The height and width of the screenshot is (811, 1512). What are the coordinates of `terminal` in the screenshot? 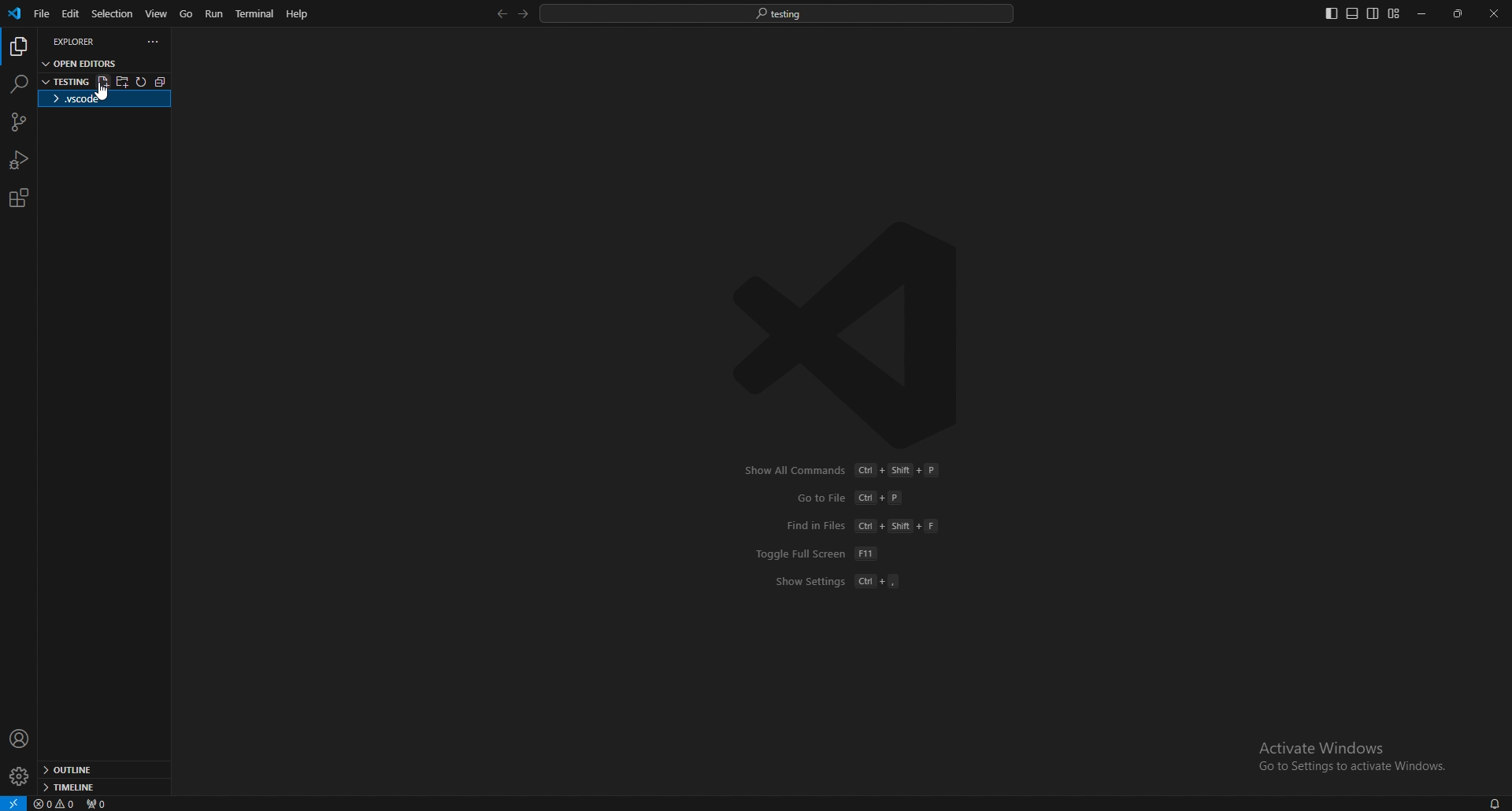 It's located at (258, 14).